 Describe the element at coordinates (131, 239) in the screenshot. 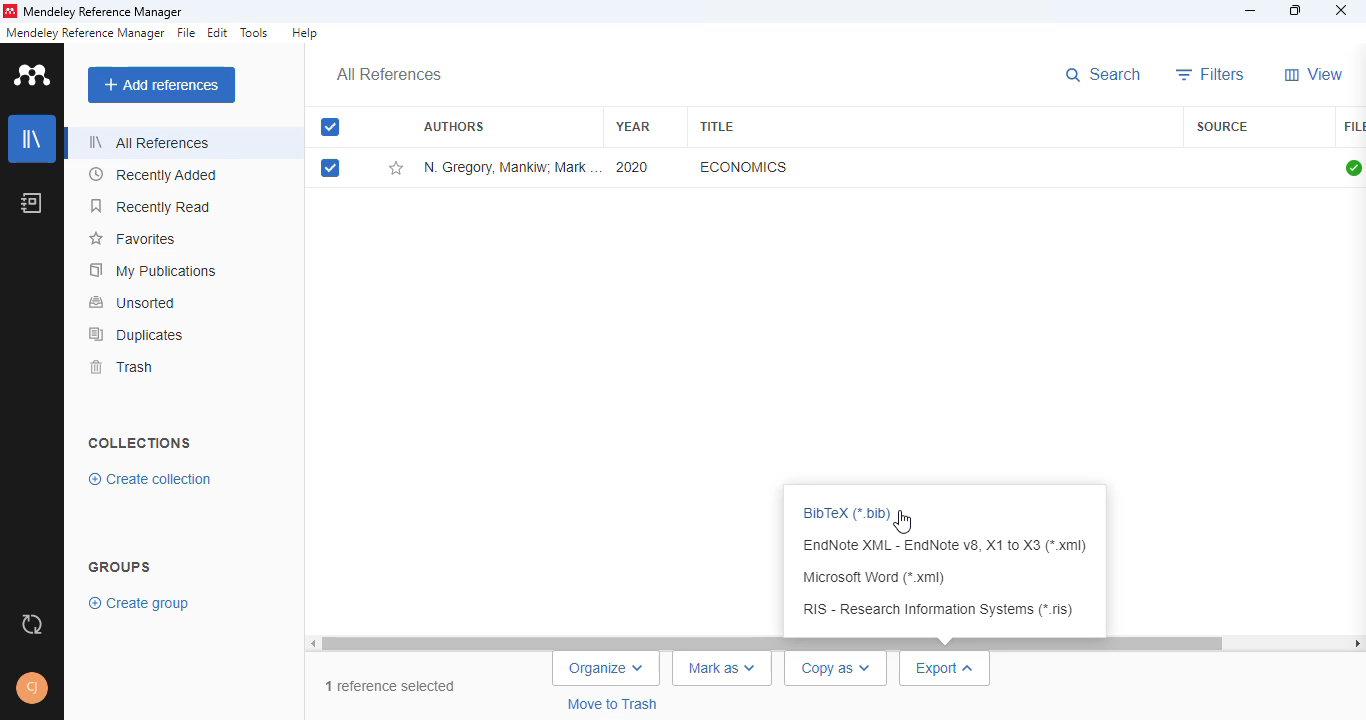

I see `favorites` at that location.